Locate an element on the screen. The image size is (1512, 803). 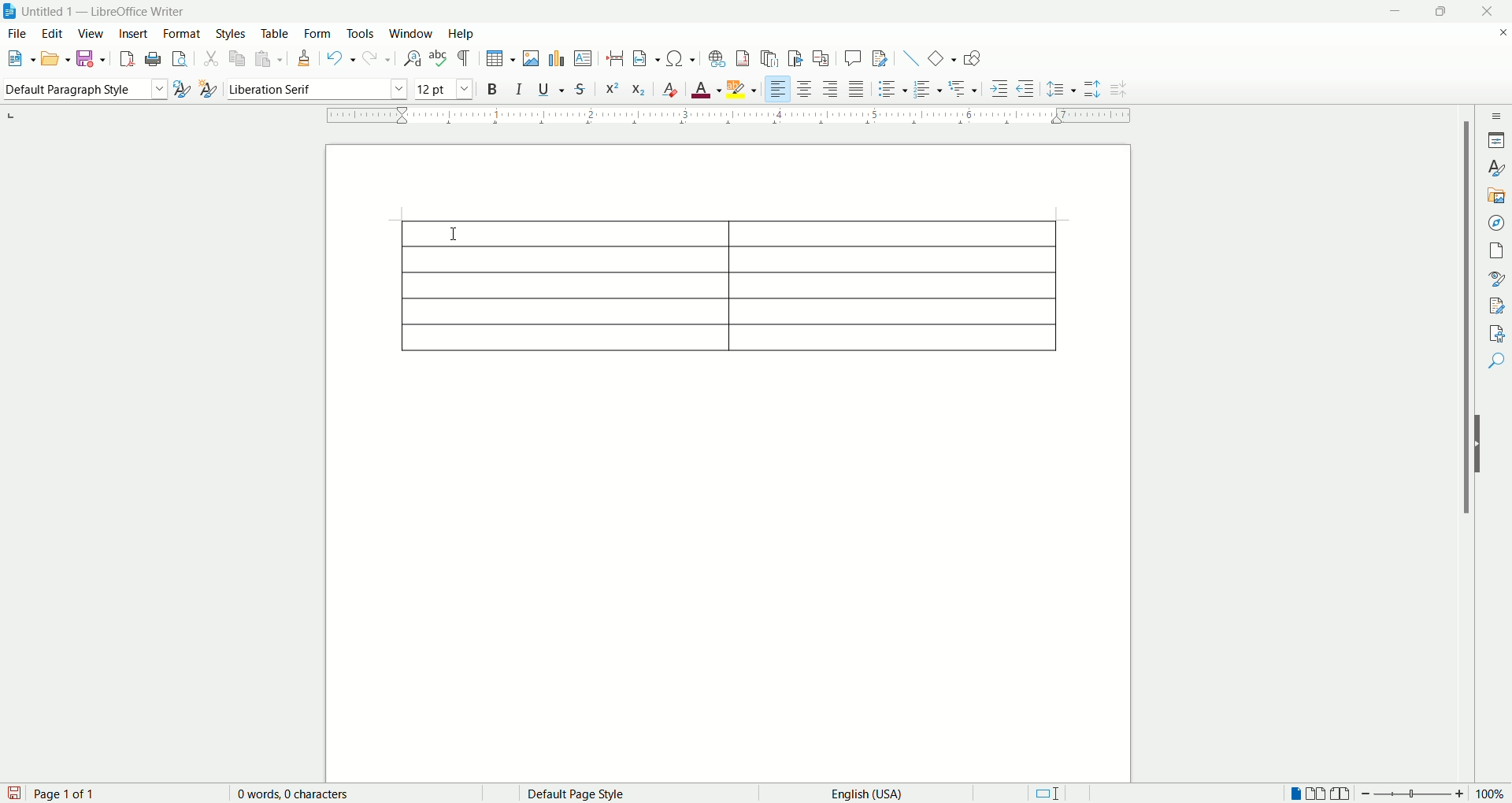
export as pdf is located at coordinates (125, 59).